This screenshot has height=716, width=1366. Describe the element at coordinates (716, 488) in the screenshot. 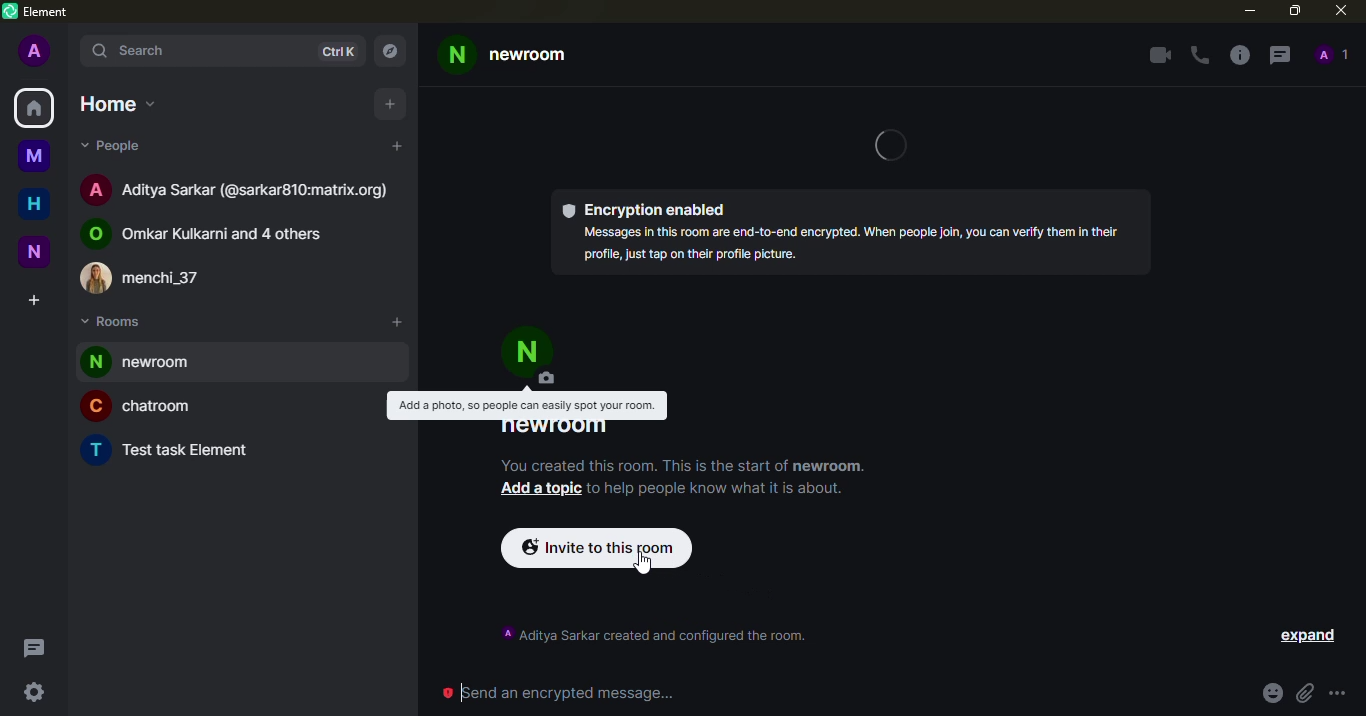

I see `to help people know what it is about` at that location.